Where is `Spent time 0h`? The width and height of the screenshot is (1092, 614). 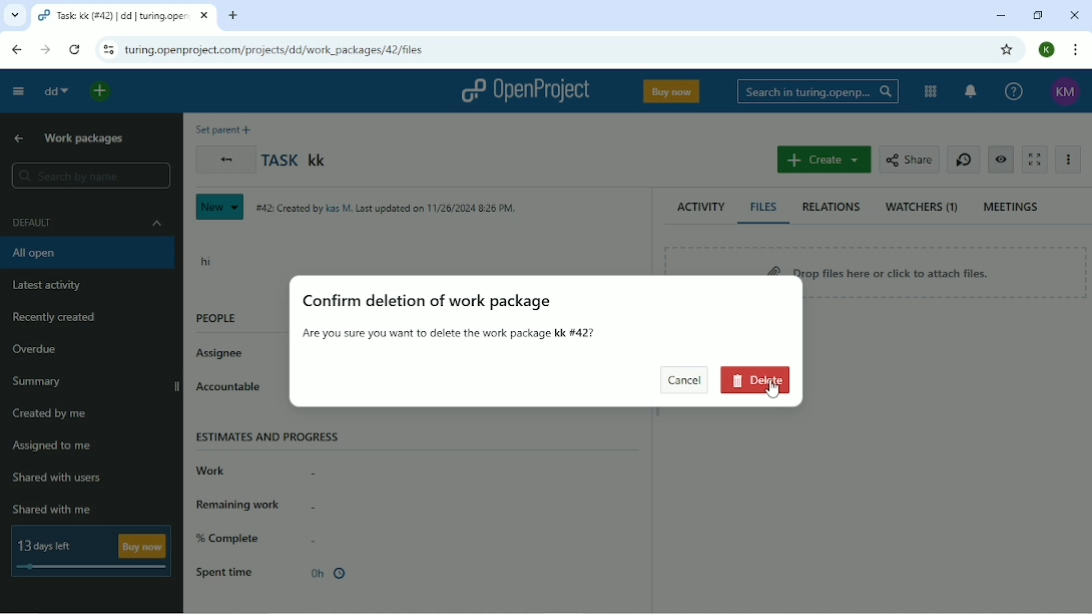 Spent time 0h is located at coordinates (274, 573).